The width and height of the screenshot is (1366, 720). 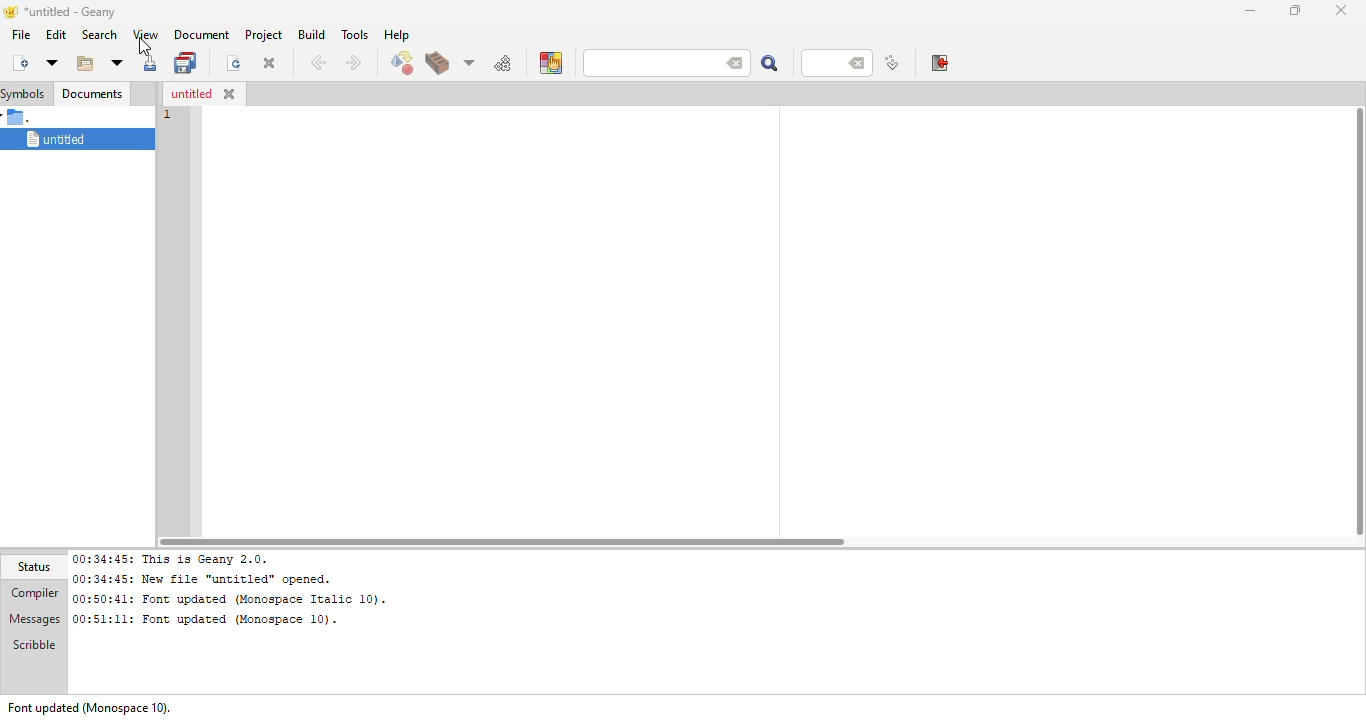 What do you see at coordinates (34, 593) in the screenshot?
I see `compiler` at bounding box center [34, 593].